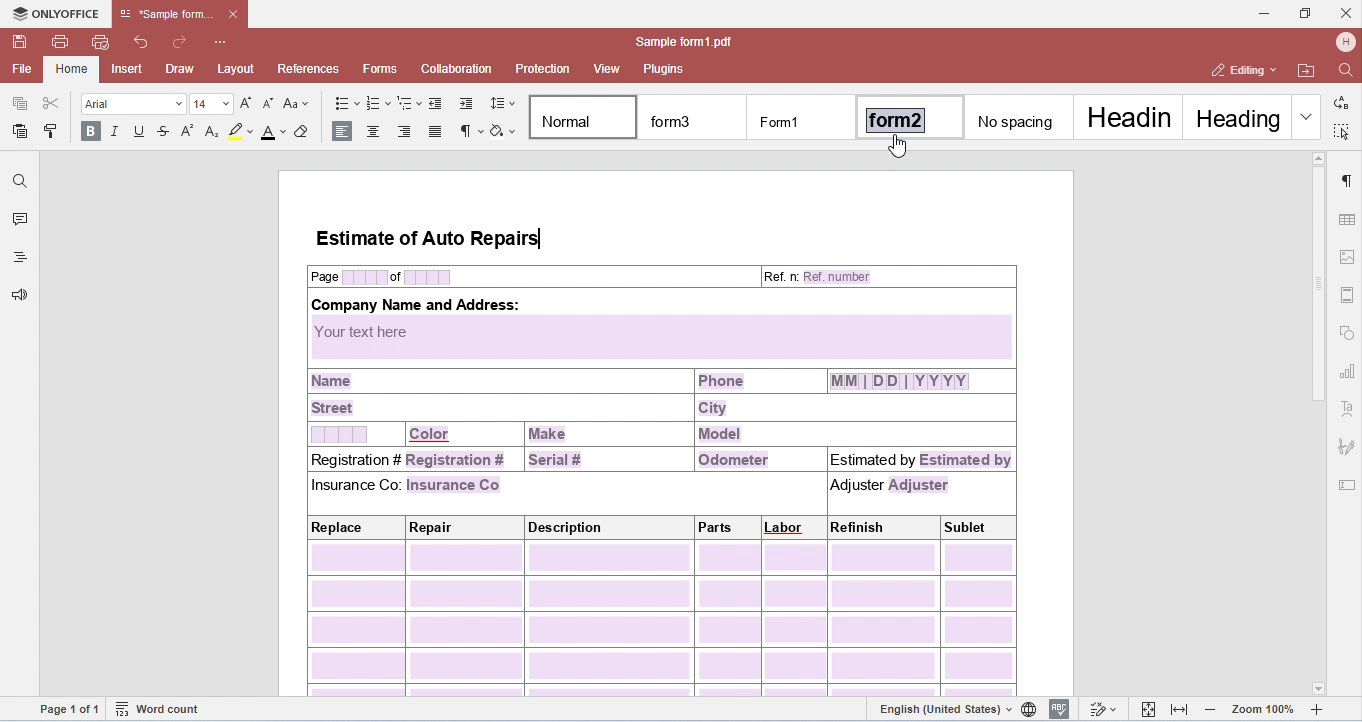  Describe the element at coordinates (379, 103) in the screenshot. I see `numbered style` at that location.